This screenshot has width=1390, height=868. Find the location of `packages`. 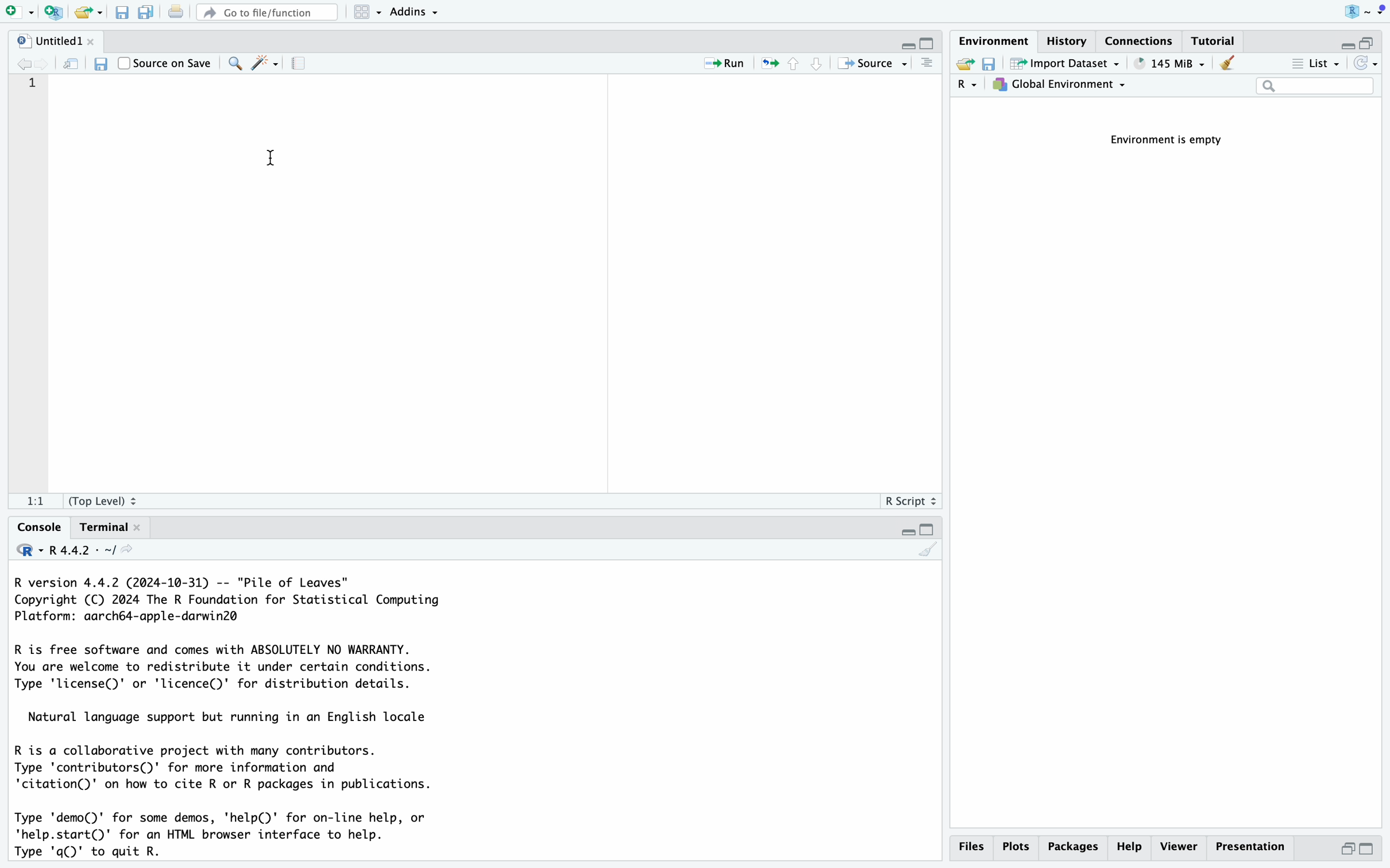

packages is located at coordinates (1072, 849).